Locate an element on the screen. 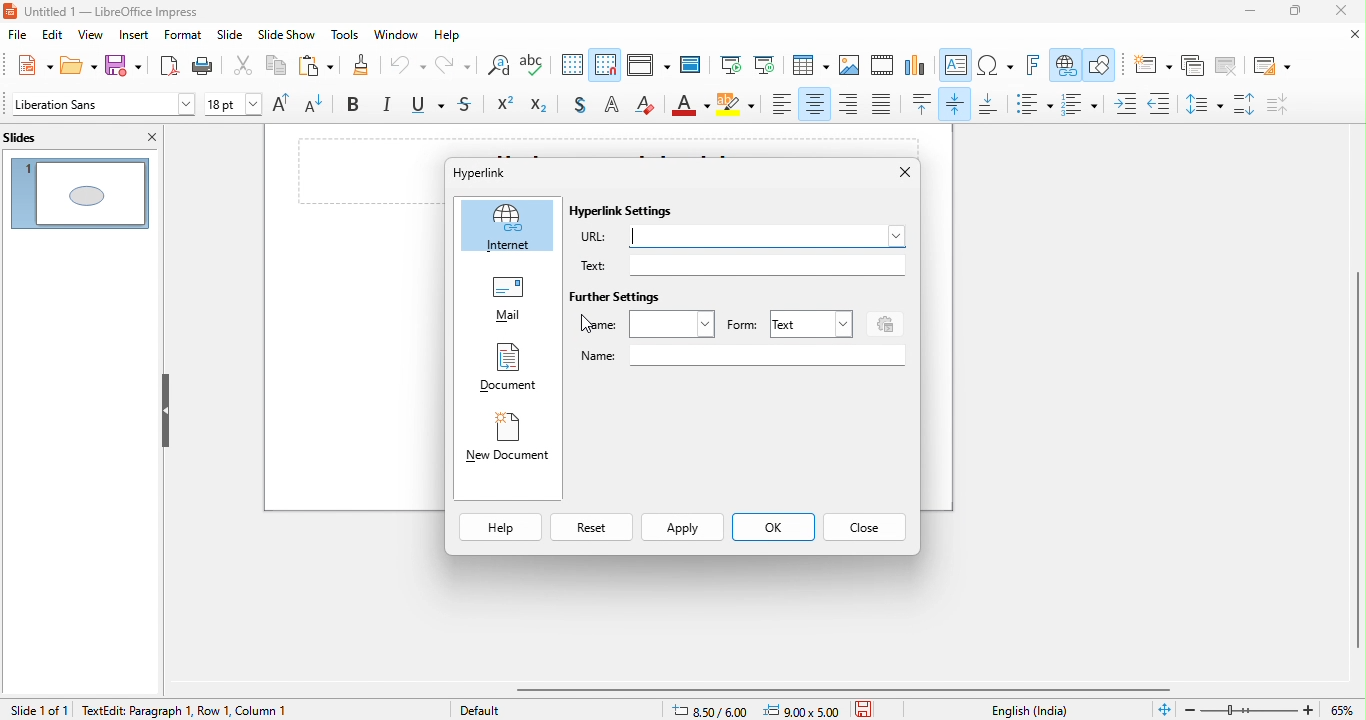  duplicate slide is located at coordinates (1193, 66).